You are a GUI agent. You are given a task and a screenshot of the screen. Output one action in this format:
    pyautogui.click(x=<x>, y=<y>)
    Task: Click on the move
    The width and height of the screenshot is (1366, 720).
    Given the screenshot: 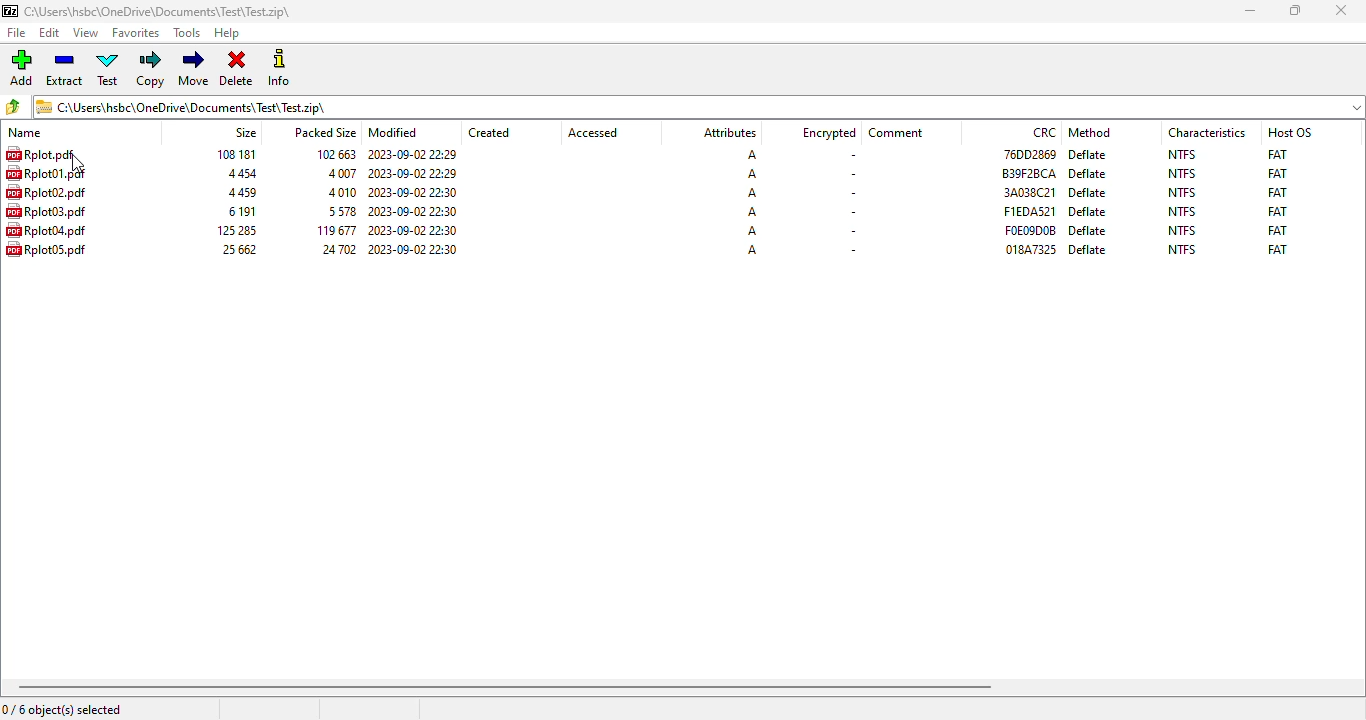 What is the action you would take?
    pyautogui.click(x=193, y=68)
    